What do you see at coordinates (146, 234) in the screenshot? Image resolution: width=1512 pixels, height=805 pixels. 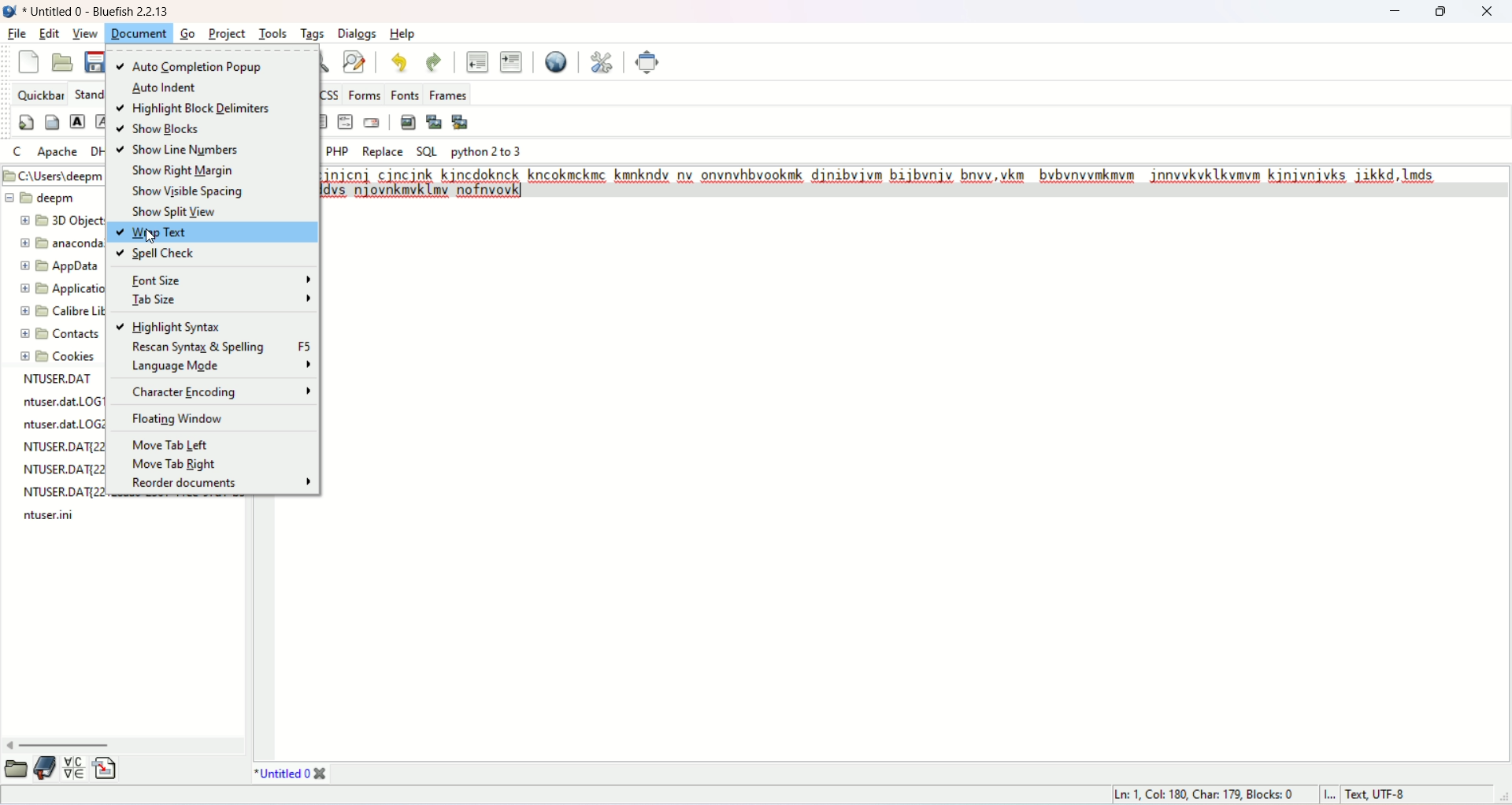 I see `Cursor on Wrap Text` at bounding box center [146, 234].